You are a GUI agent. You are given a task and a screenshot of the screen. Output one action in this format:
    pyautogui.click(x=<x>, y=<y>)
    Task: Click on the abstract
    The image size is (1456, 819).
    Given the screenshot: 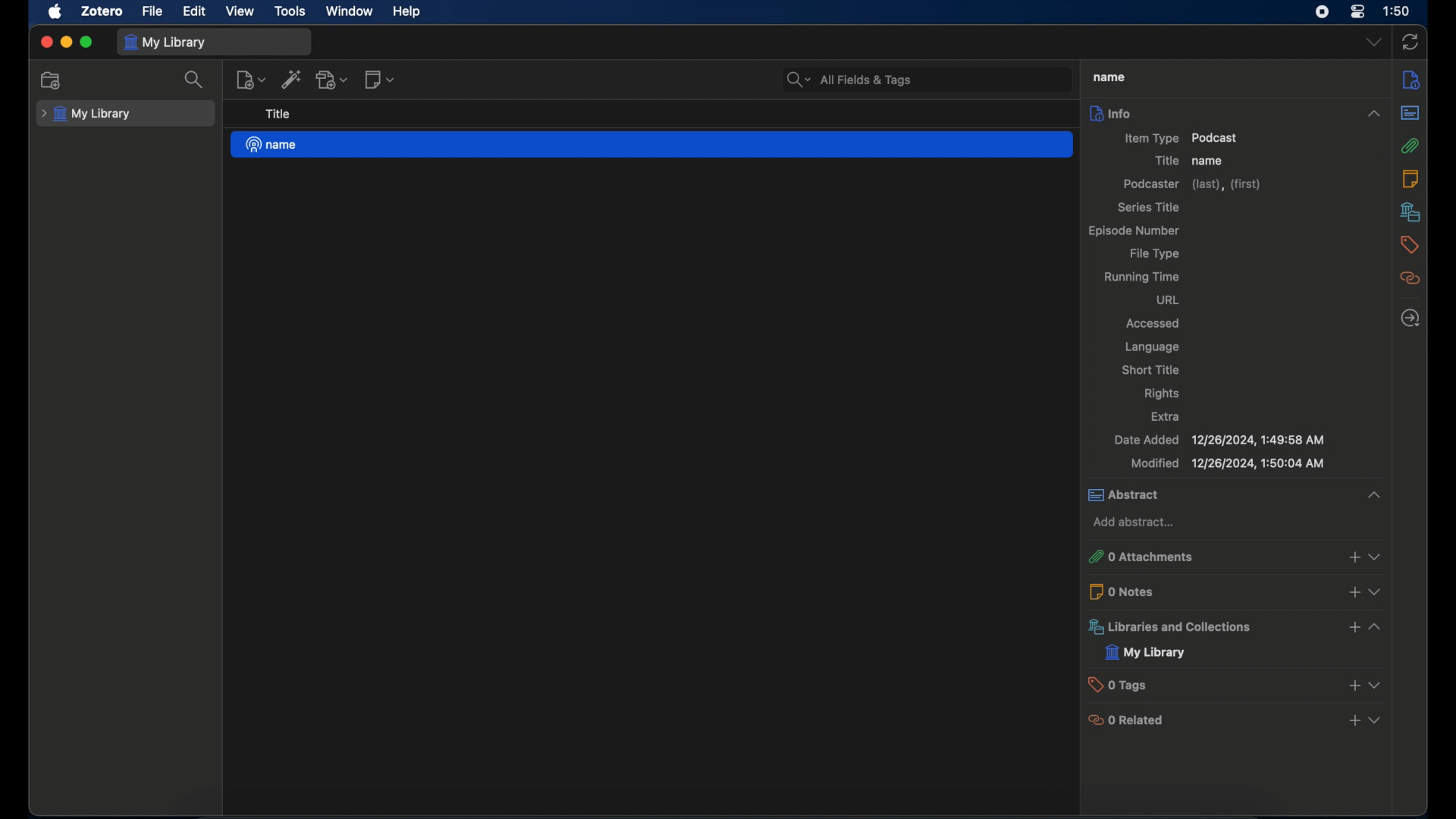 What is the action you would take?
    pyautogui.click(x=1410, y=113)
    